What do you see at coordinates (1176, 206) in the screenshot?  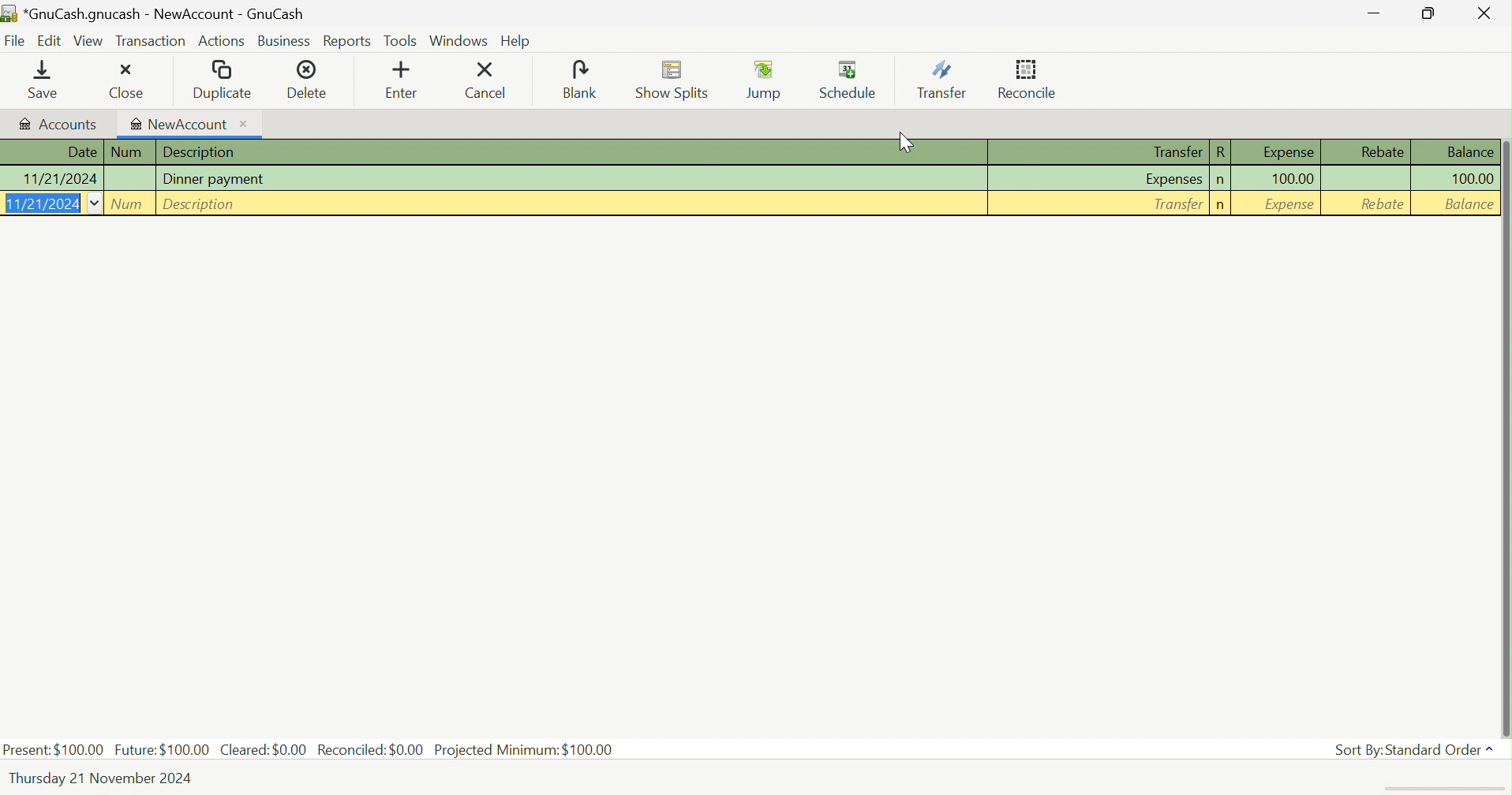 I see `transfer` at bounding box center [1176, 206].